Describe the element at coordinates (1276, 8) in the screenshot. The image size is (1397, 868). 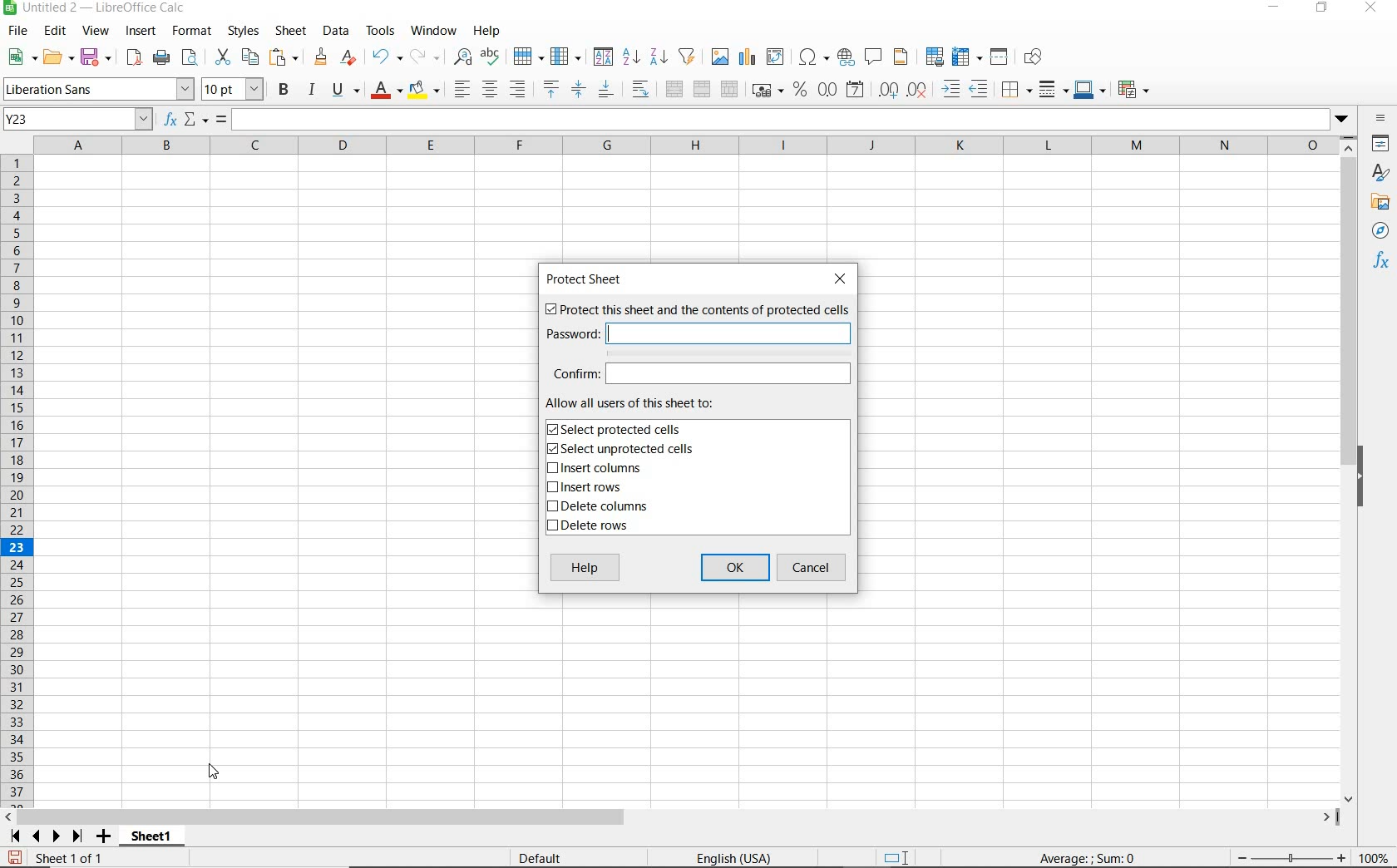
I see `MINIMIZE` at that location.